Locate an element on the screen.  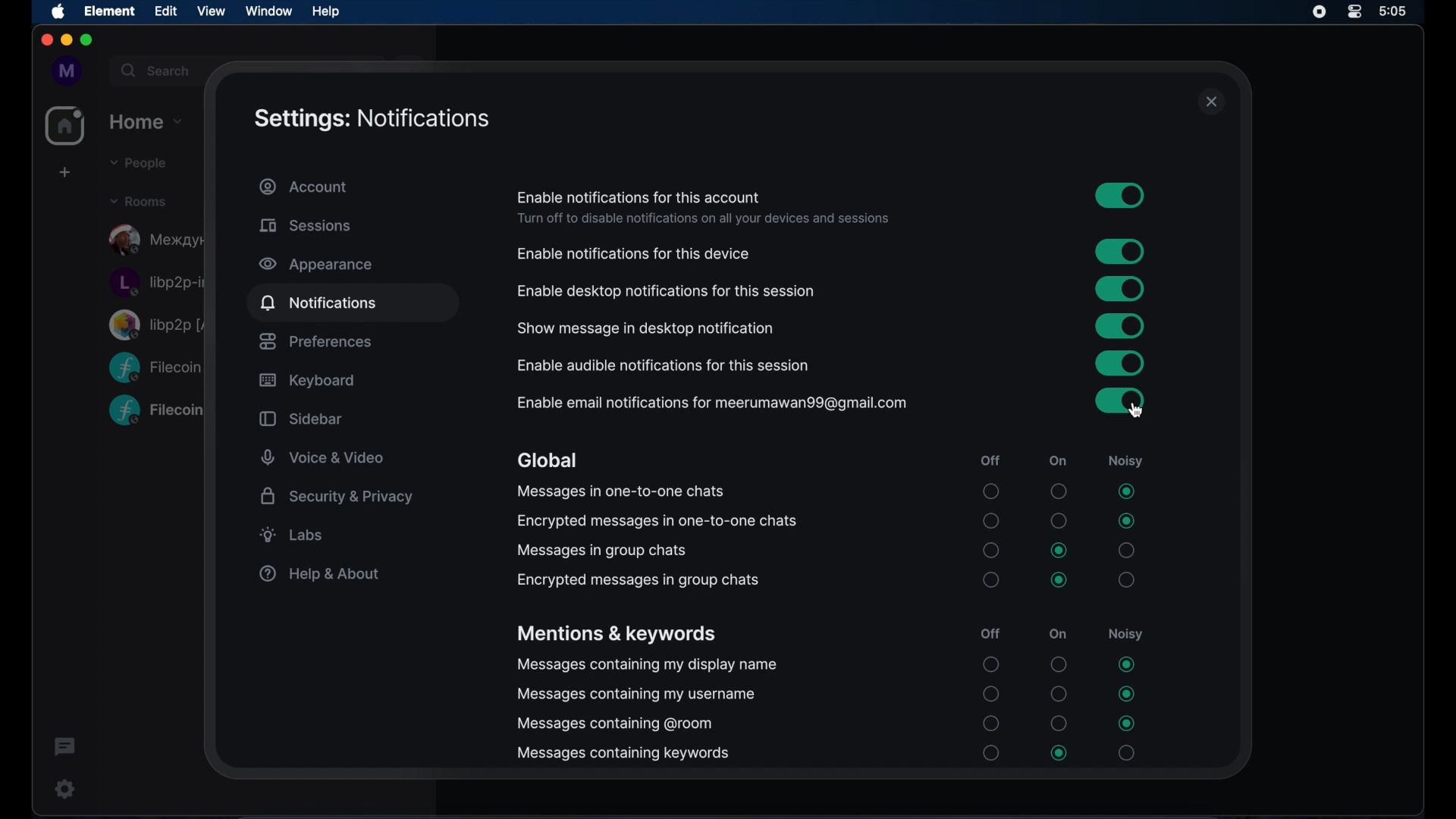
radio button is located at coordinates (1126, 491).